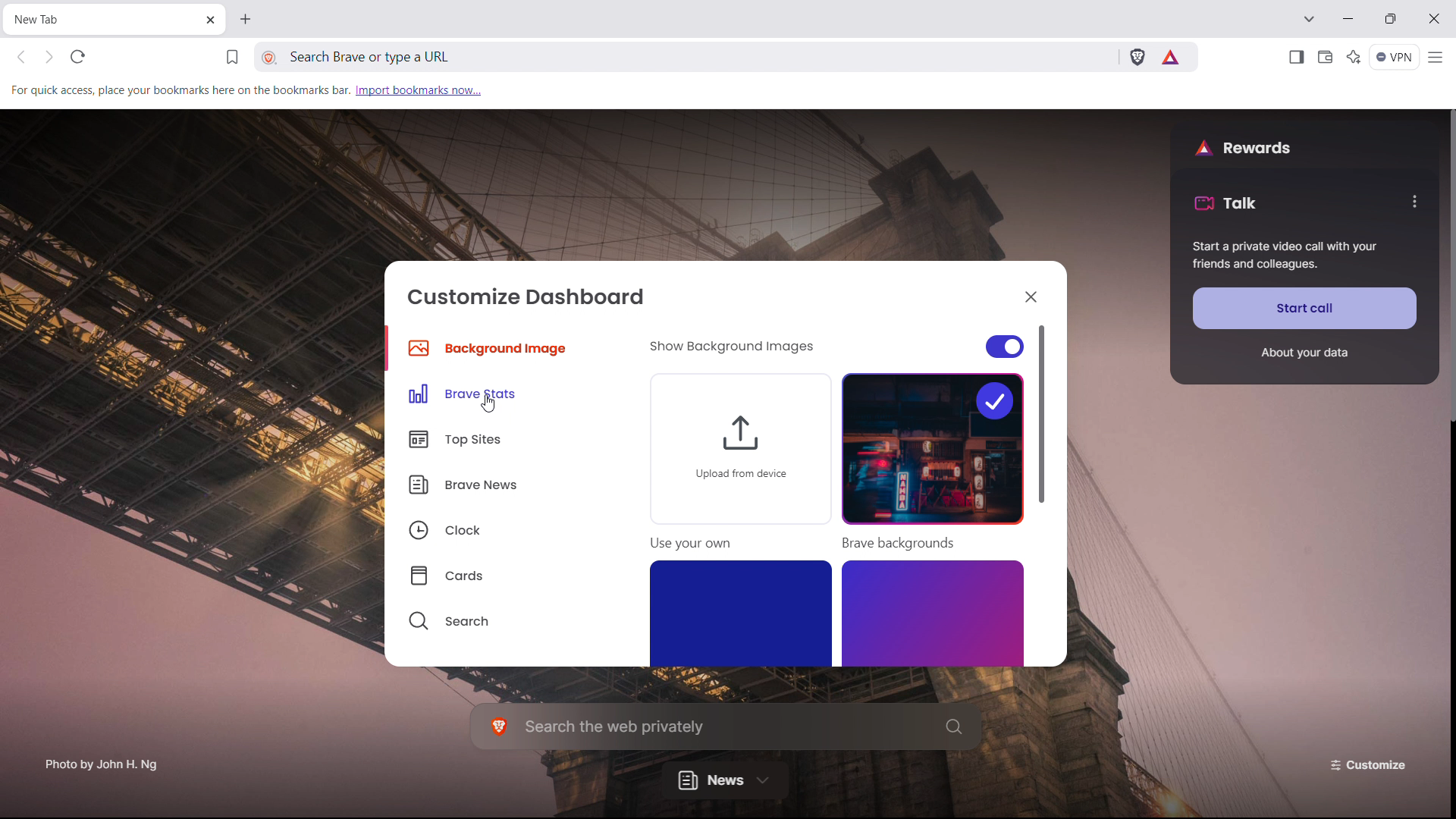  What do you see at coordinates (1371, 764) in the screenshot?
I see `customize` at bounding box center [1371, 764].